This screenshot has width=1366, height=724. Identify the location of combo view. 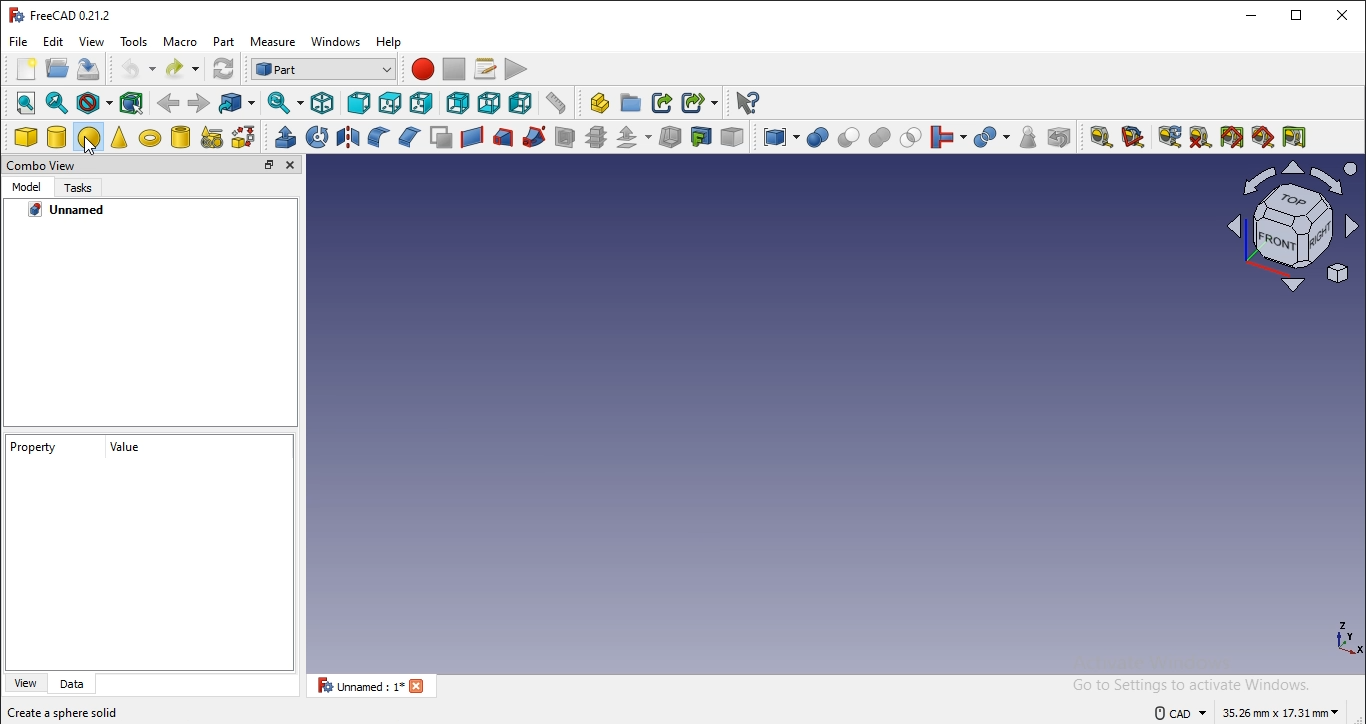
(41, 166).